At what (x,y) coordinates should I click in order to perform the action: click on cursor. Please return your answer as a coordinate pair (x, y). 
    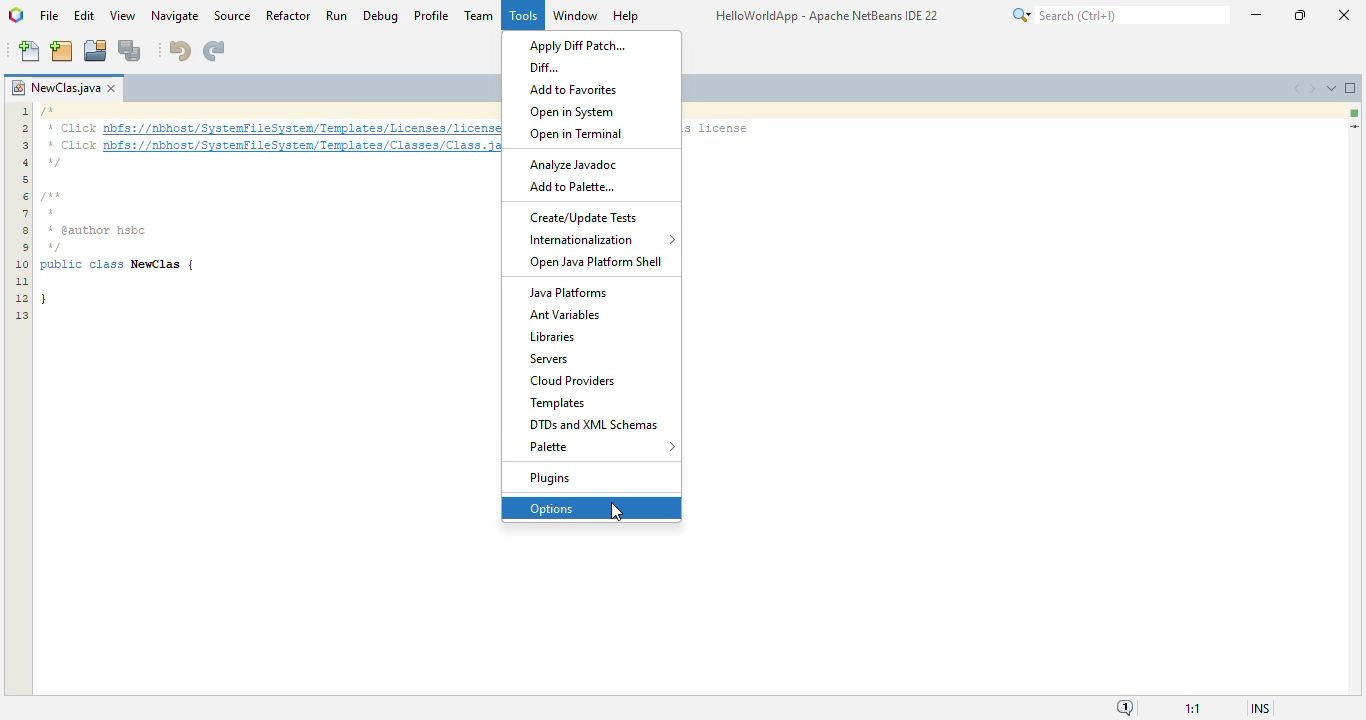
    Looking at the image, I should click on (618, 508).